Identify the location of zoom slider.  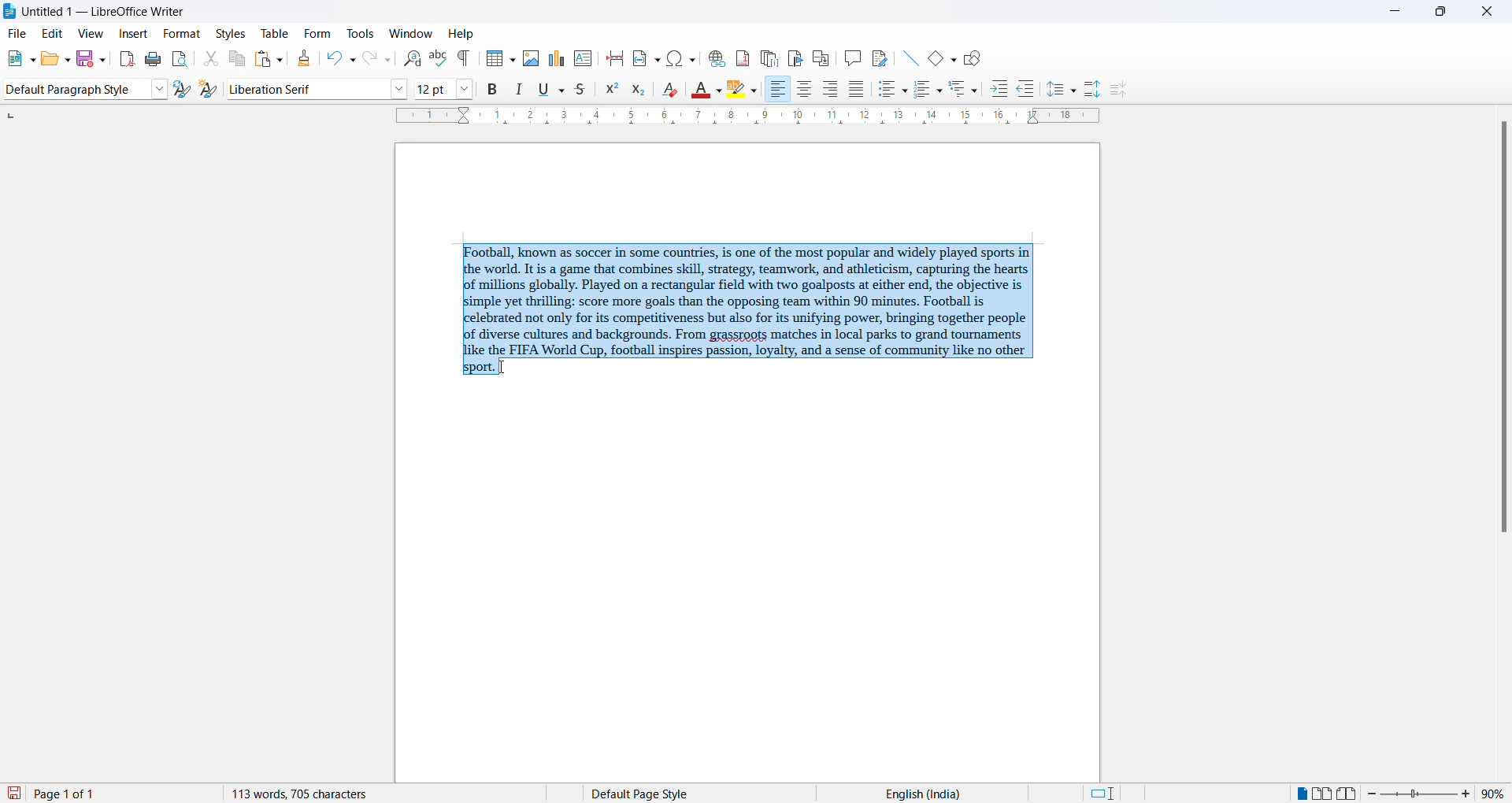
(1422, 794).